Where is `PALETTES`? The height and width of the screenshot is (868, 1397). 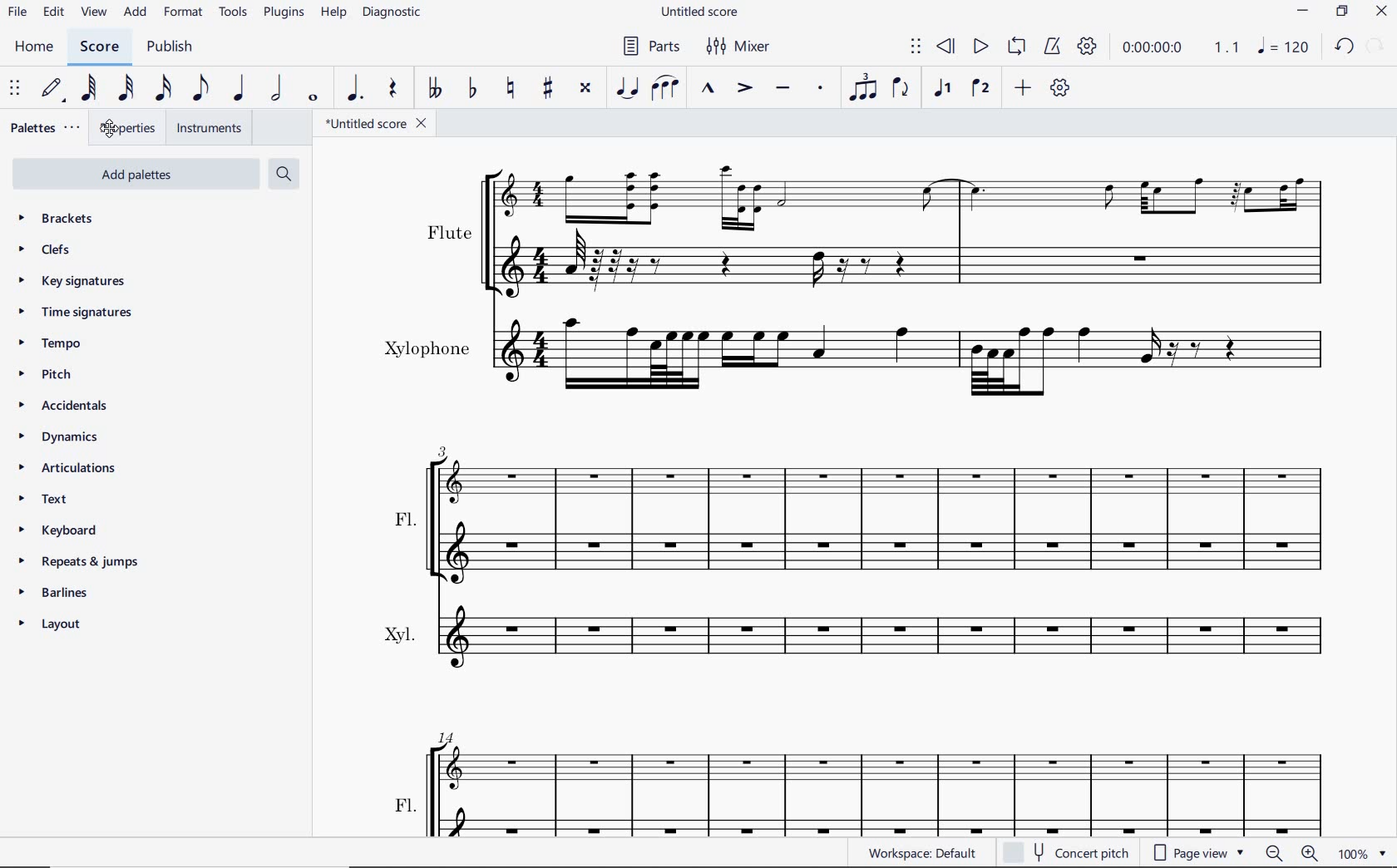
PALETTES is located at coordinates (47, 127).